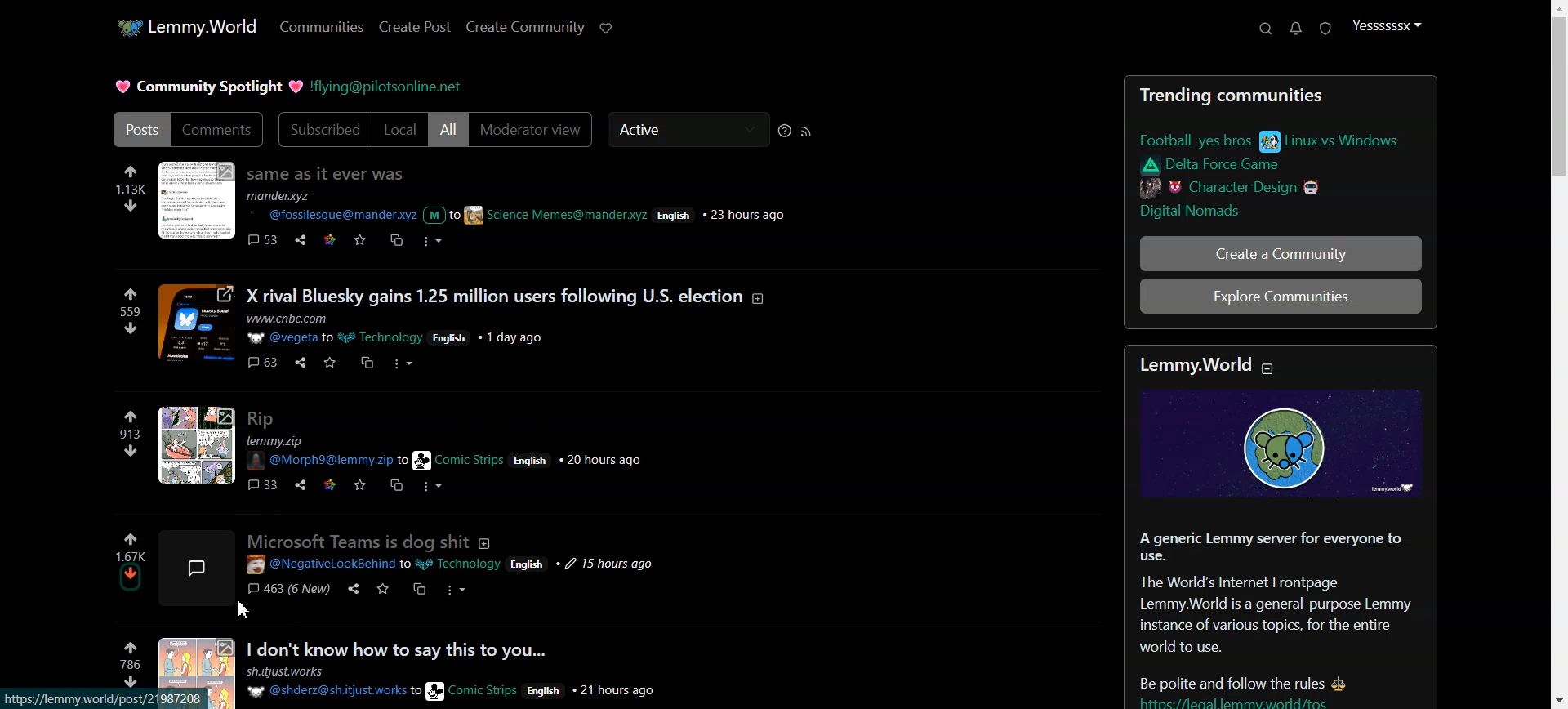 This screenshot has height=709, width=1568. Describe the element at coordinates (806, 132) in the screenshot. I see `RSS` at that location.